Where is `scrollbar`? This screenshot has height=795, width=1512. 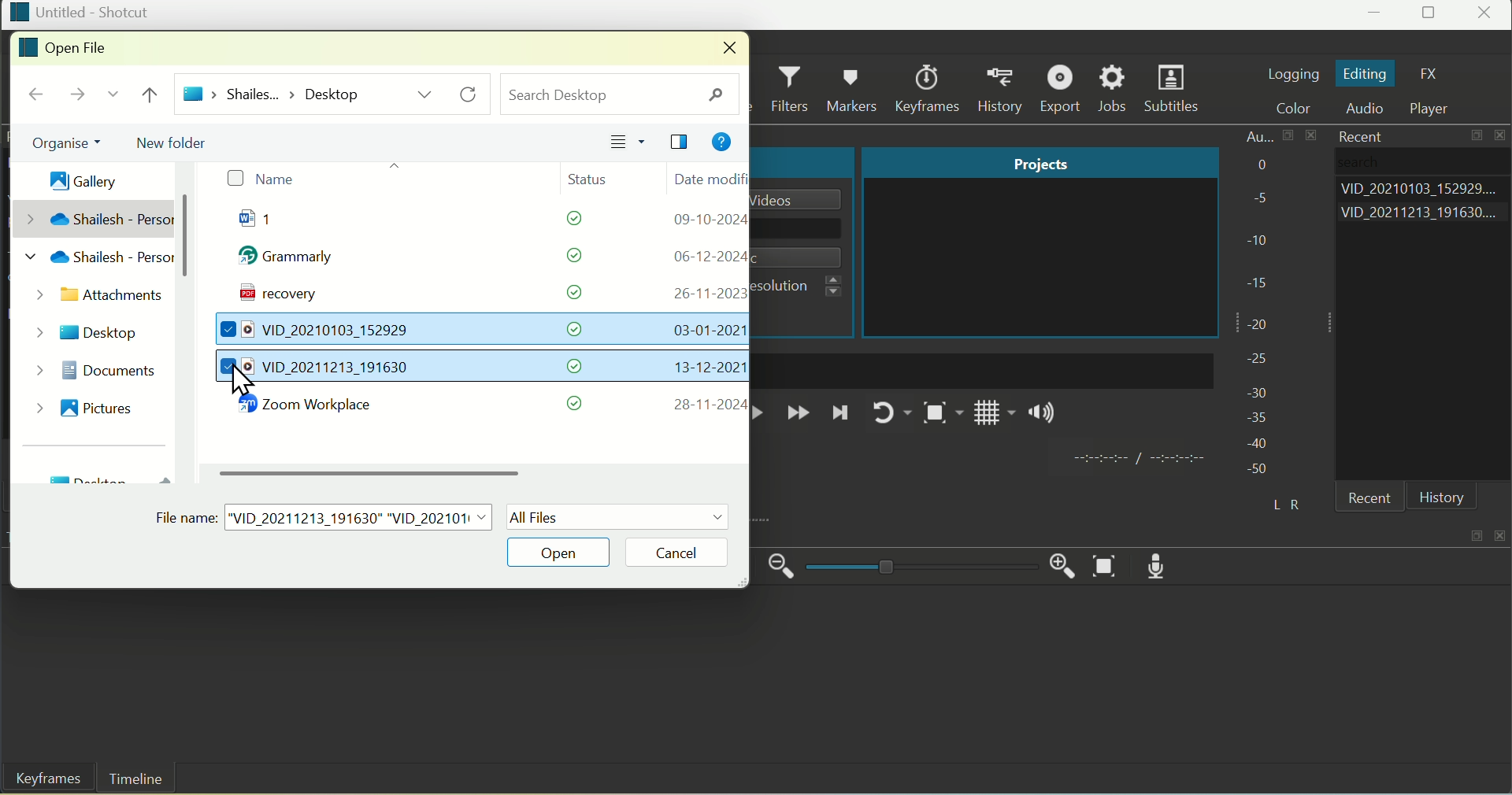
scrollbar is located at coordinates (376, 471).